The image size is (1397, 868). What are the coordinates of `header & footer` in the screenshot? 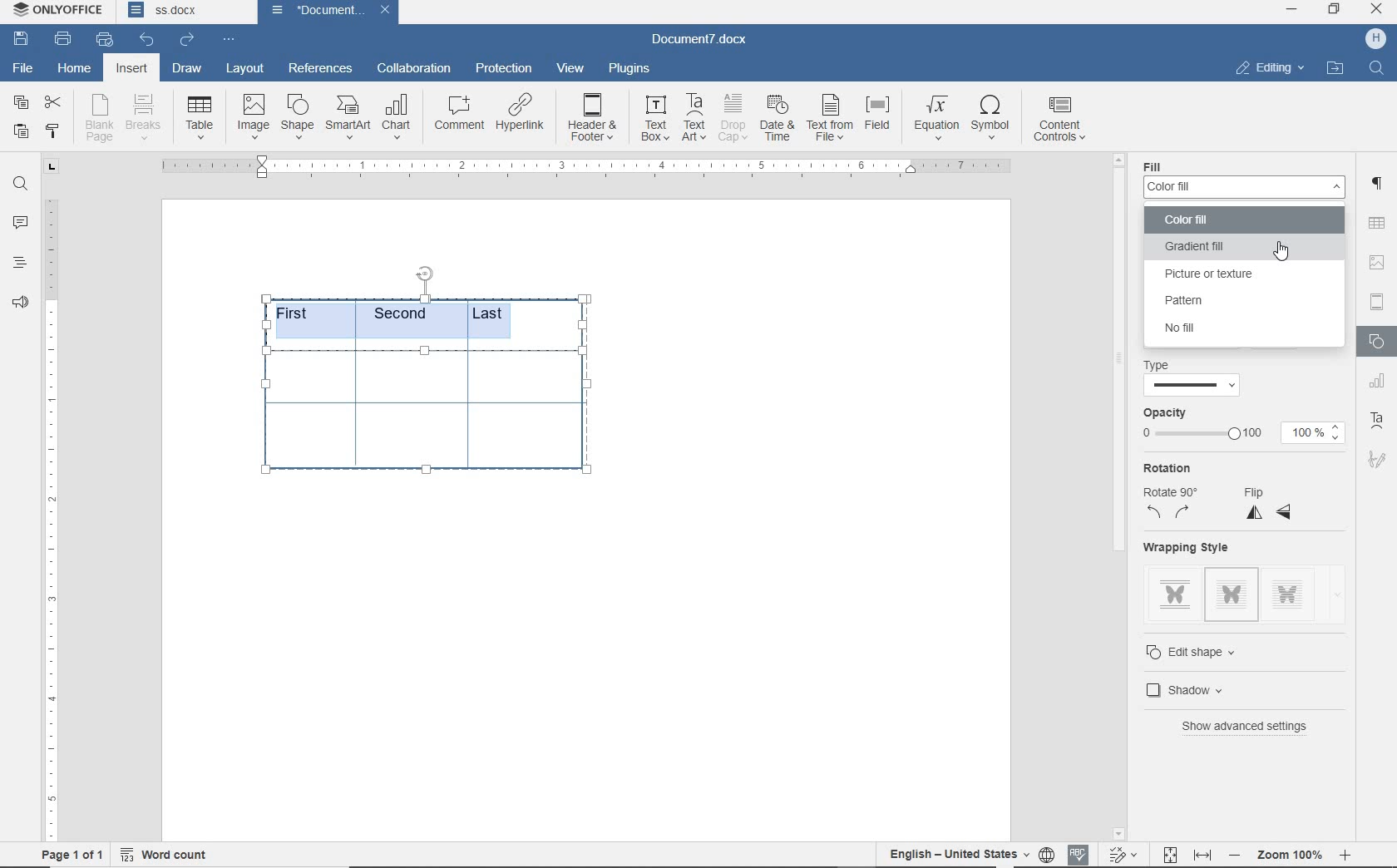 It's located at (593, 118).